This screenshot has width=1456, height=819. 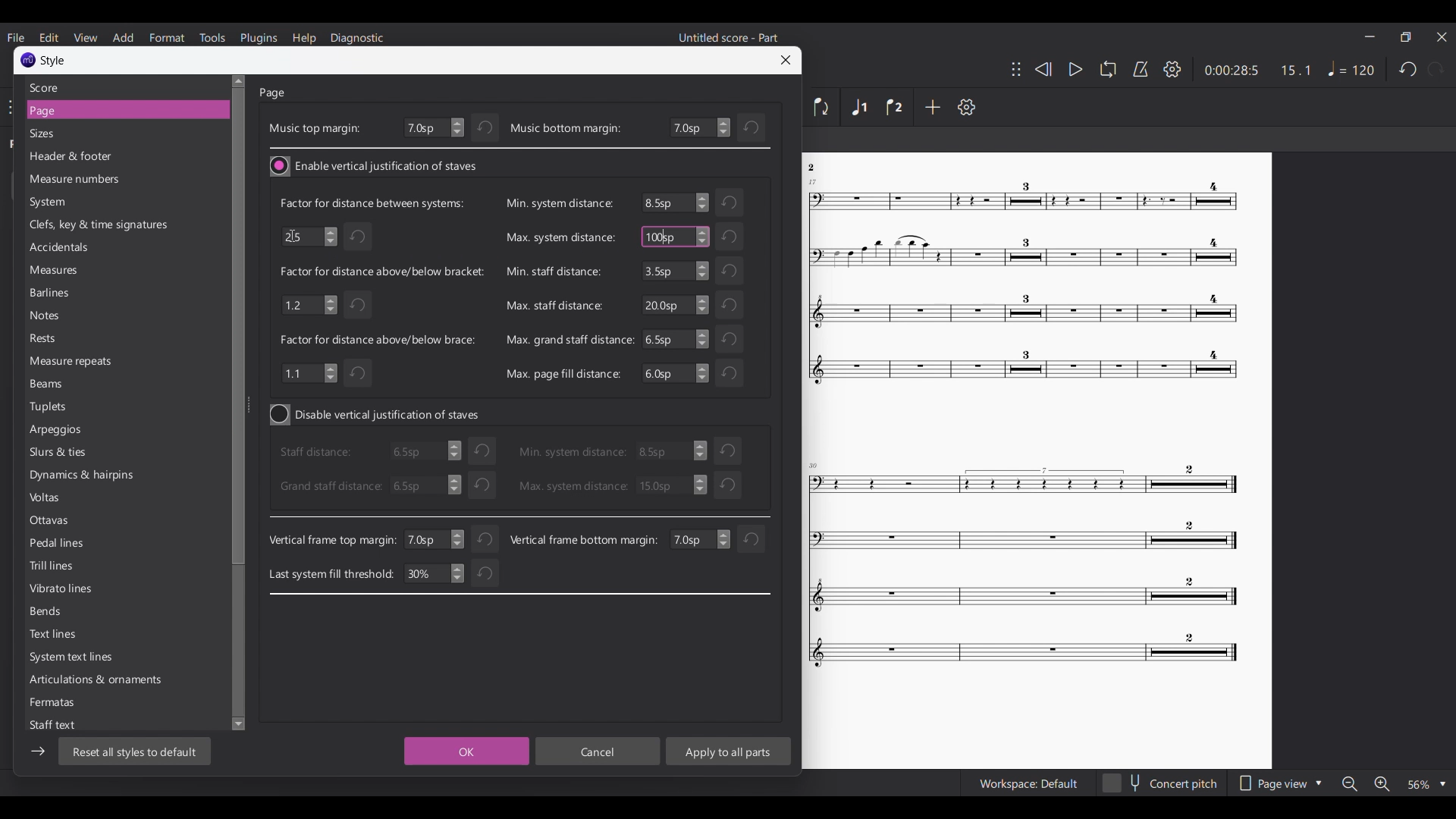 What do you see at coordinates (674, 305) in the screenshot?
I see `20.0sp` at bounding box center [674, 305].